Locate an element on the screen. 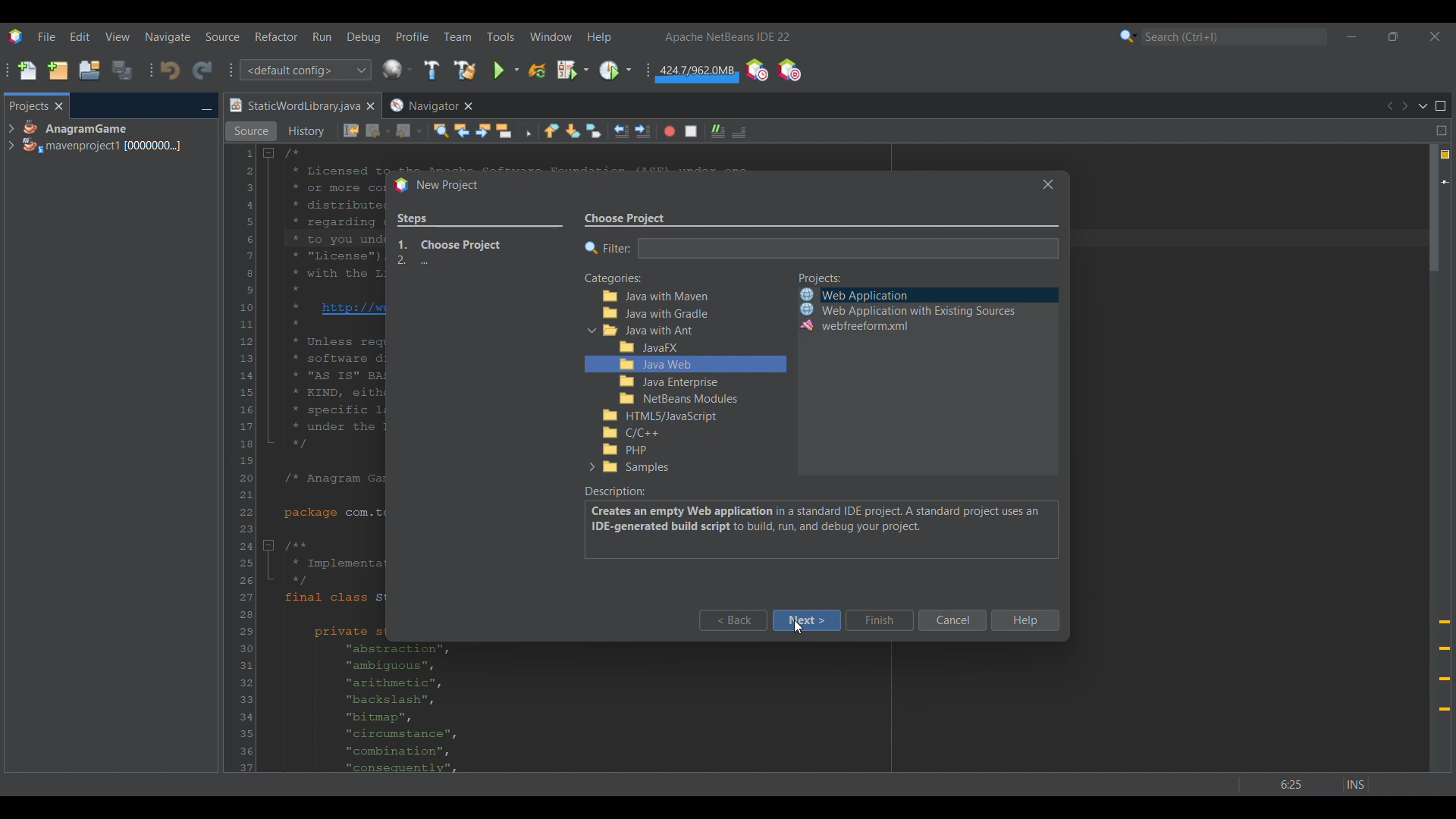 The width and height of the screenshot is (1456, 819). Current tab highlighted is located at coordinates (293, 106).